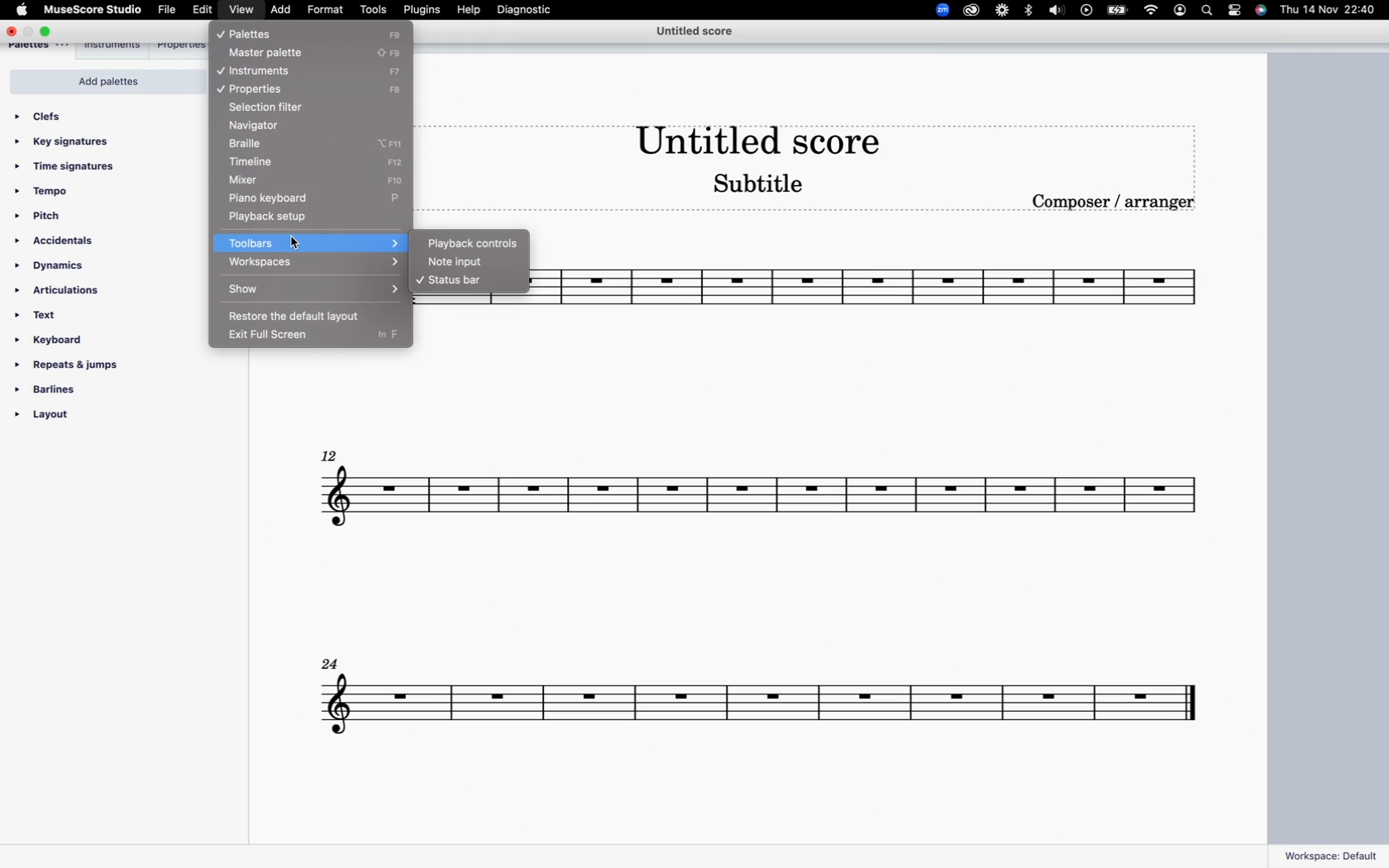 The width and height of the screenshot is (1389, 868). What do you see at coordinates (694, 33) in the screenshot?
I see `score title` at bounding box center [694, 33].